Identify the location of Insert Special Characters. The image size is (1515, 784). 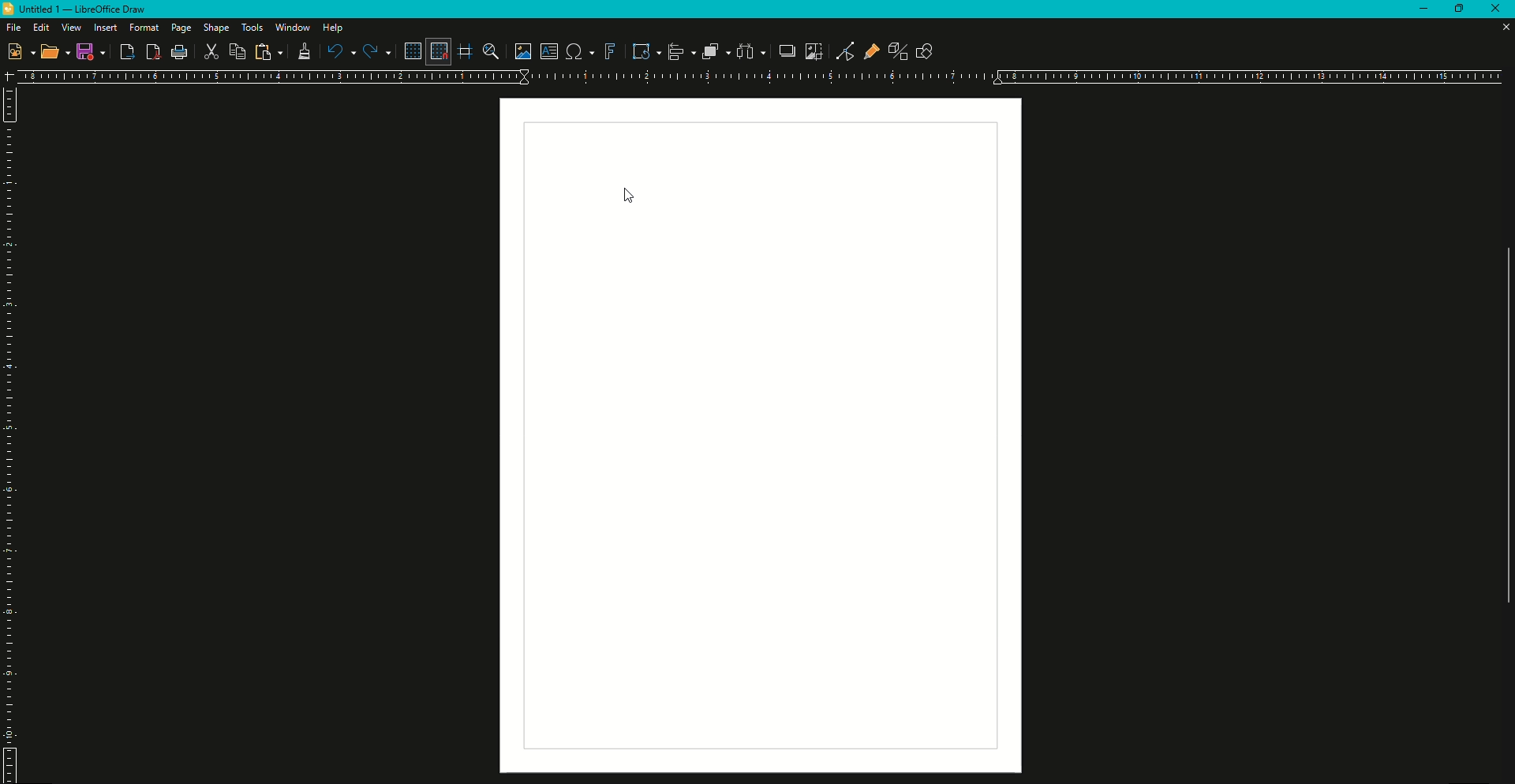
(582, 51).